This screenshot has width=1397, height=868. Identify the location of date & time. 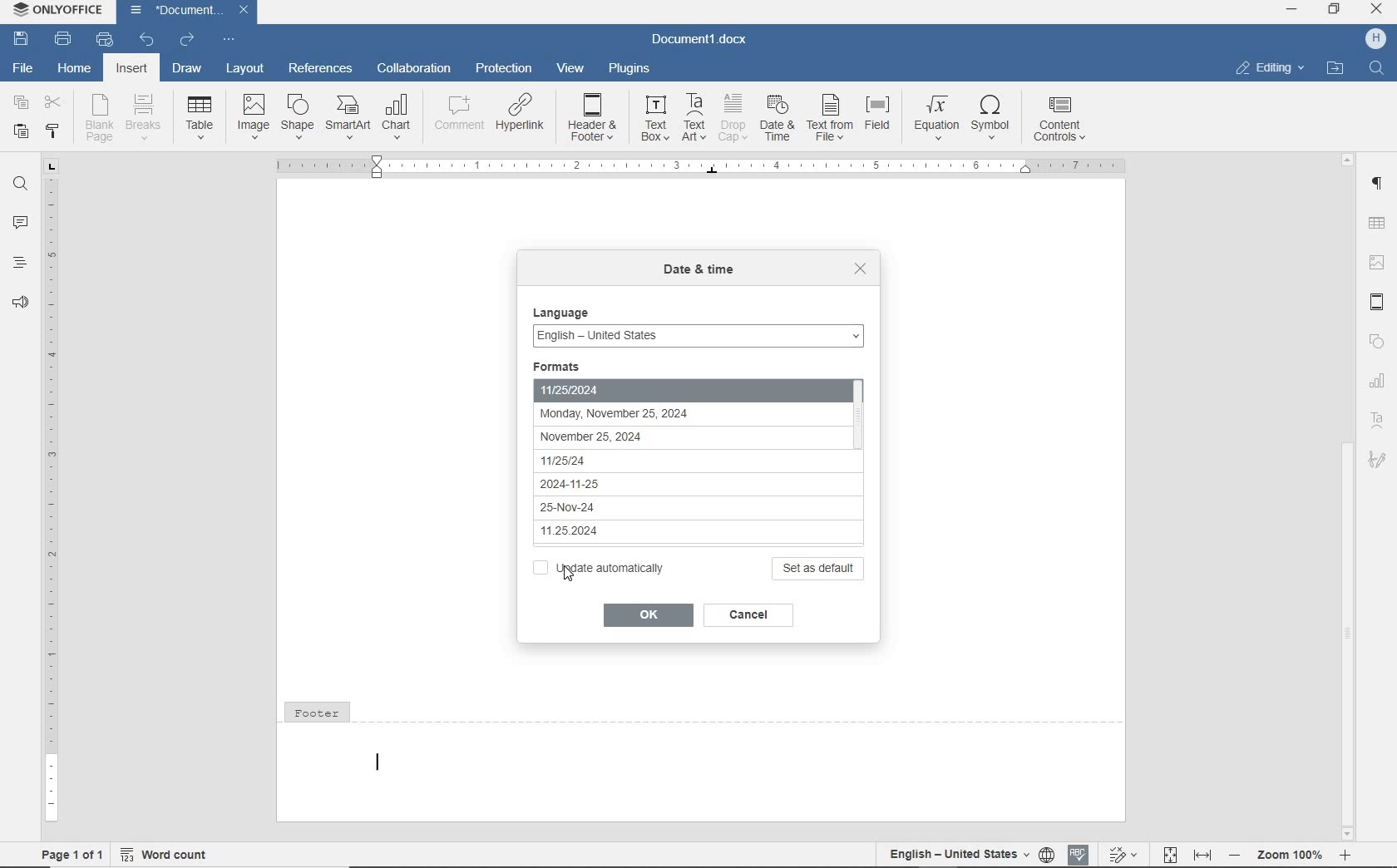
(698, 273).